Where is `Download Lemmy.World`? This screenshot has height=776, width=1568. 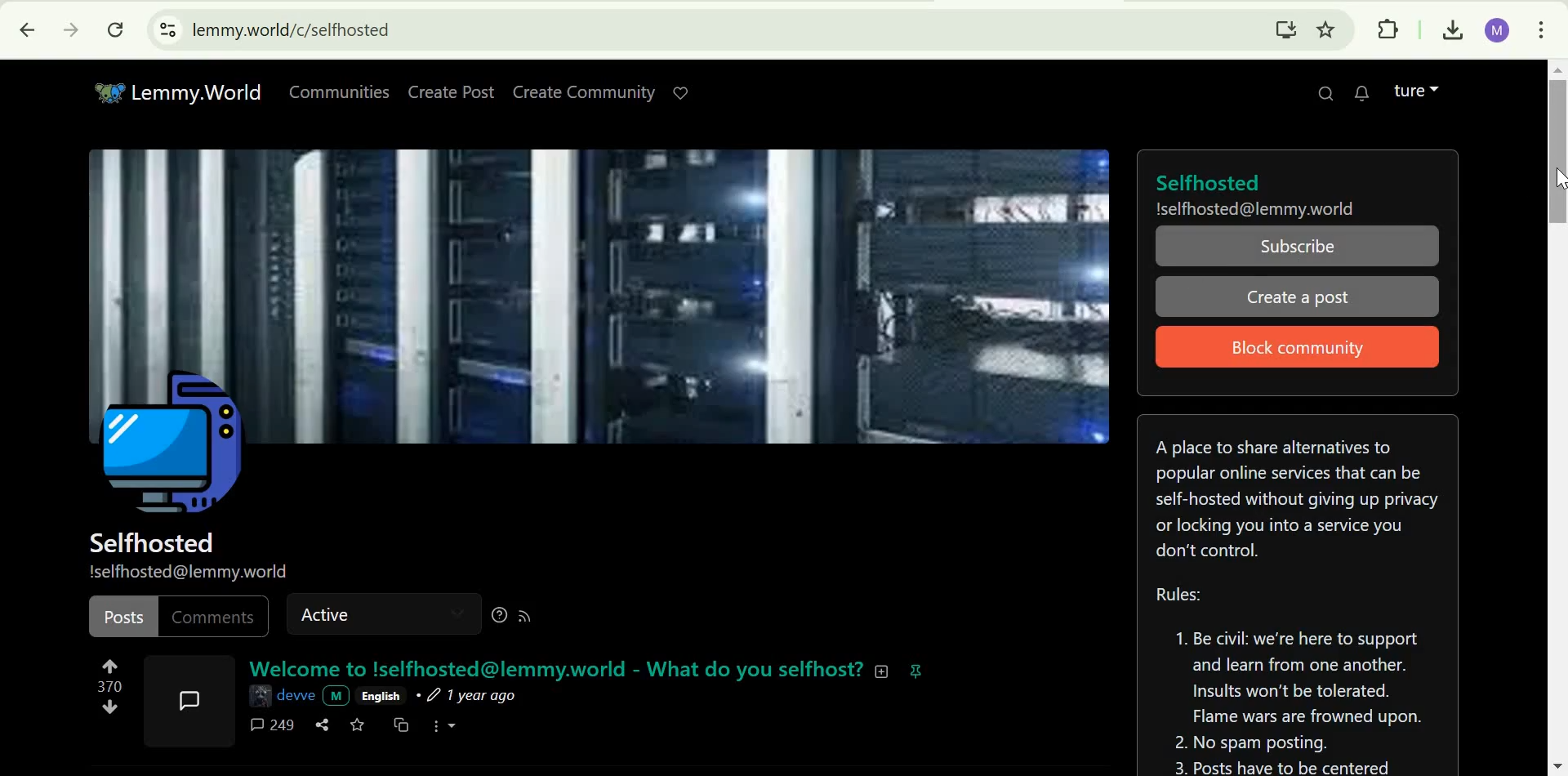
Download Lemmy.World is located at coordinates (1286, 28).